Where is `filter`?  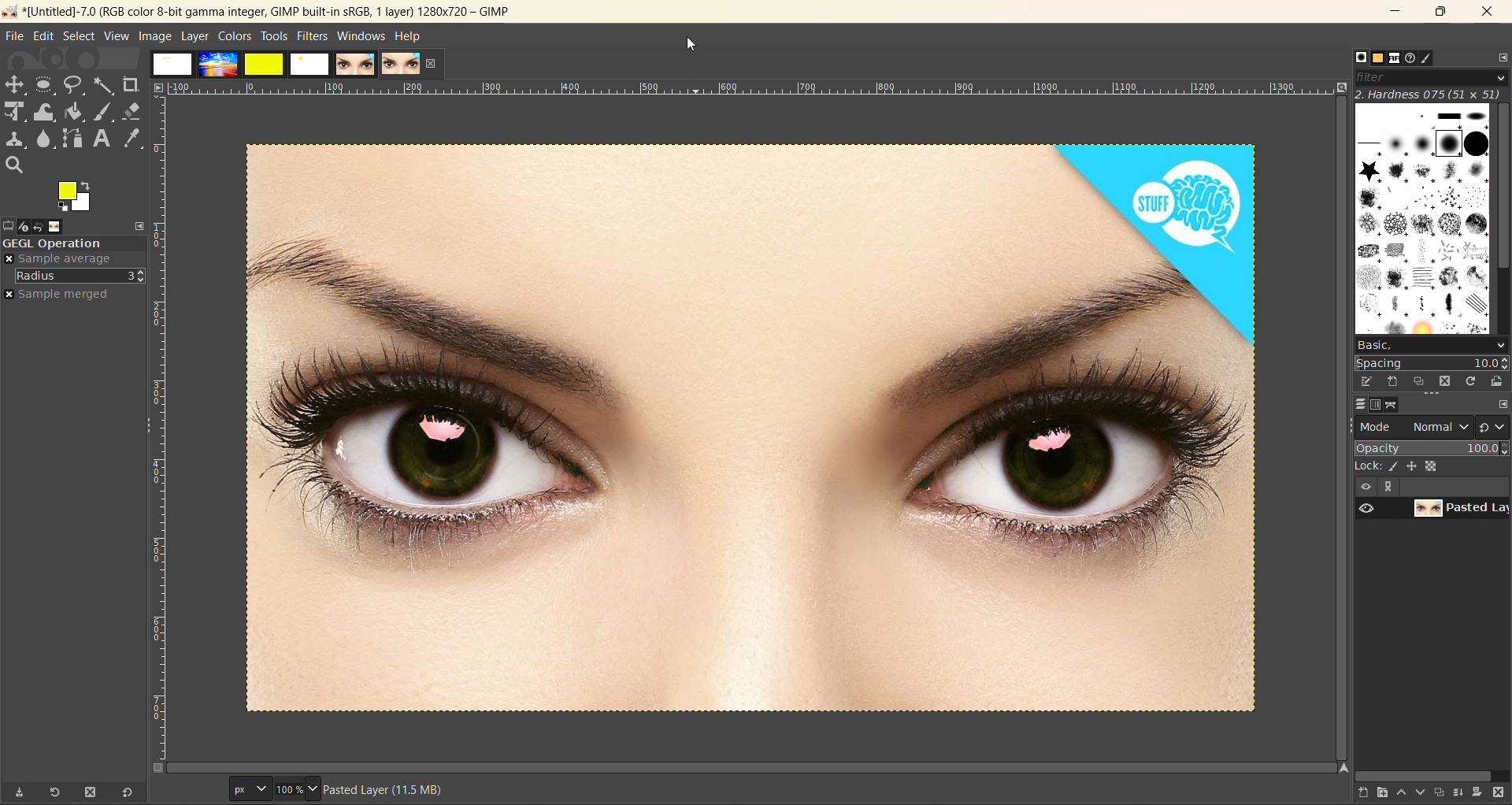 filter is located at coordinates (1432, 78).